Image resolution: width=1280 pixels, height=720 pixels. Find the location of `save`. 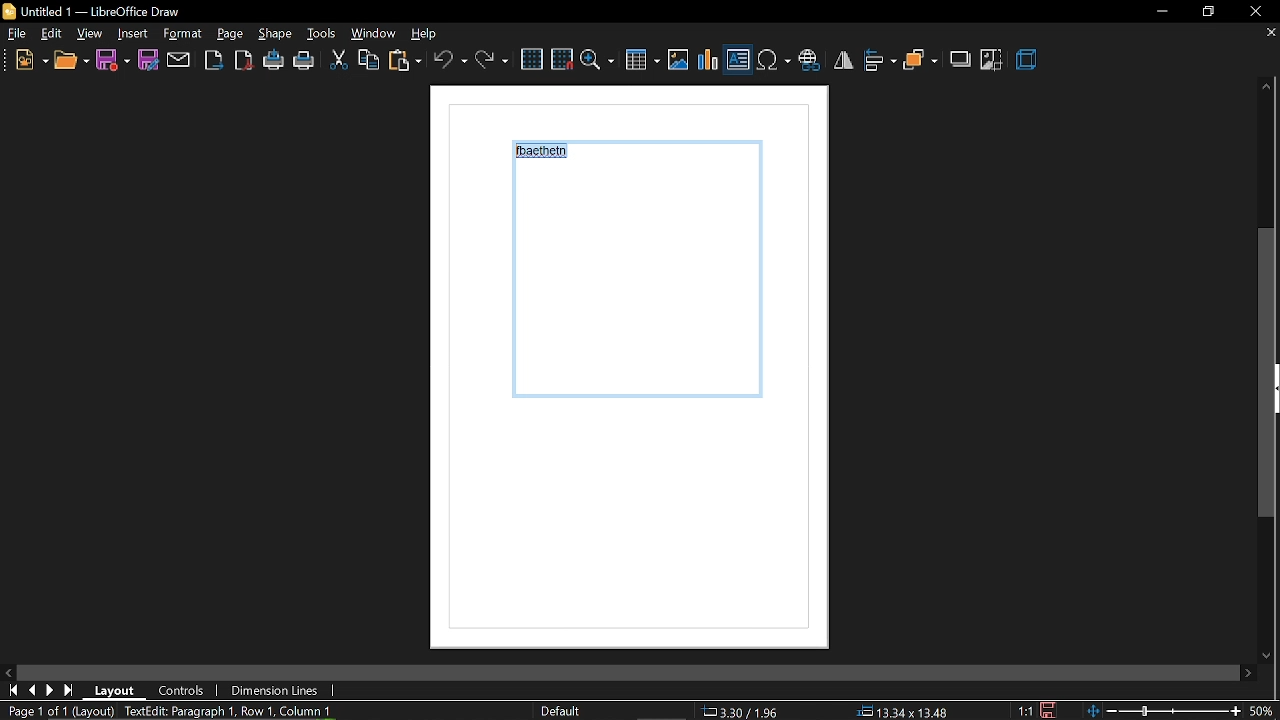

save is located at coordinates (114, 61).